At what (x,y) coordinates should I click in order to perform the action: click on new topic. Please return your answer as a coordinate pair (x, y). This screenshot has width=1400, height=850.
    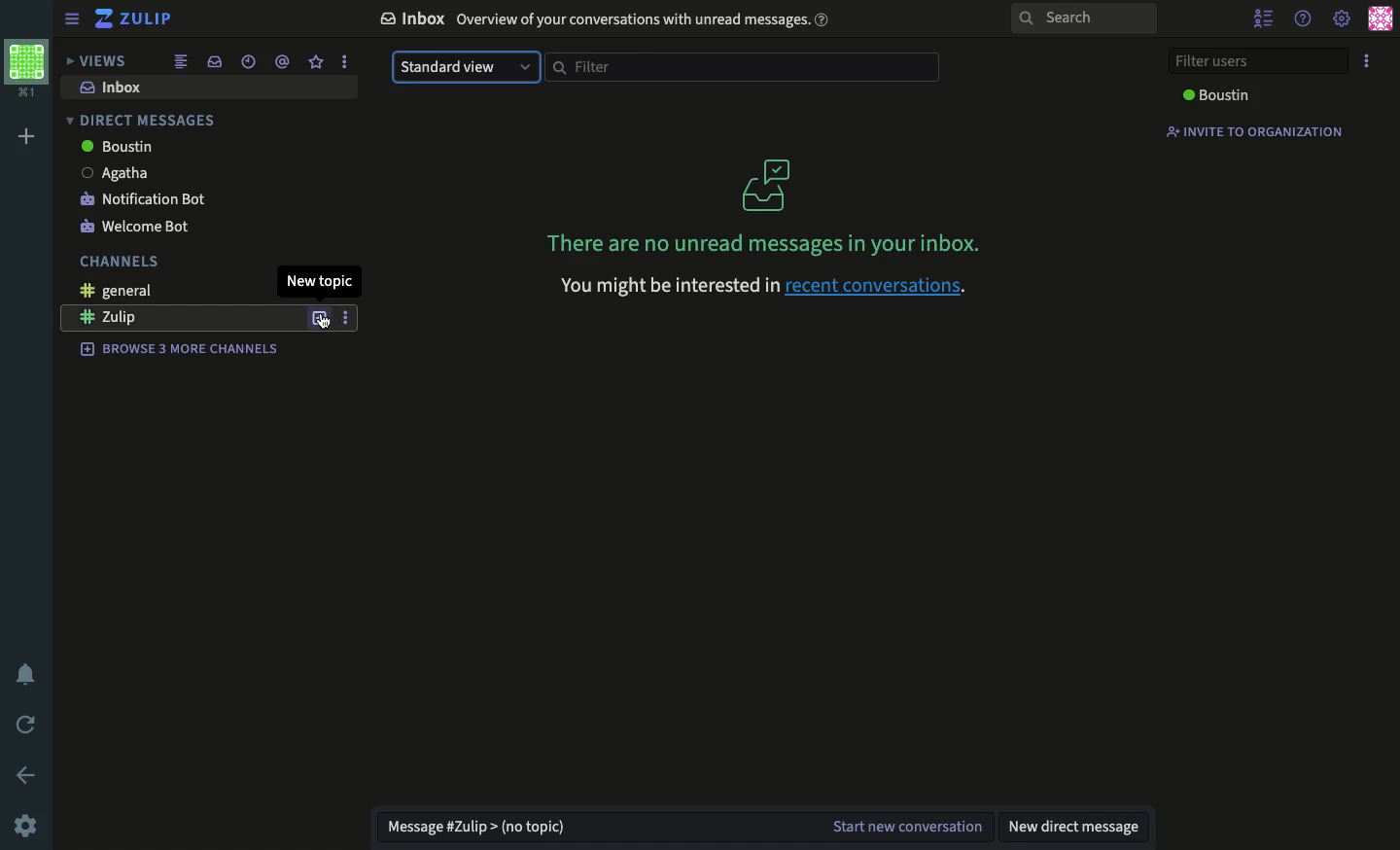
    Looking at the image, I should click on (323, 281).